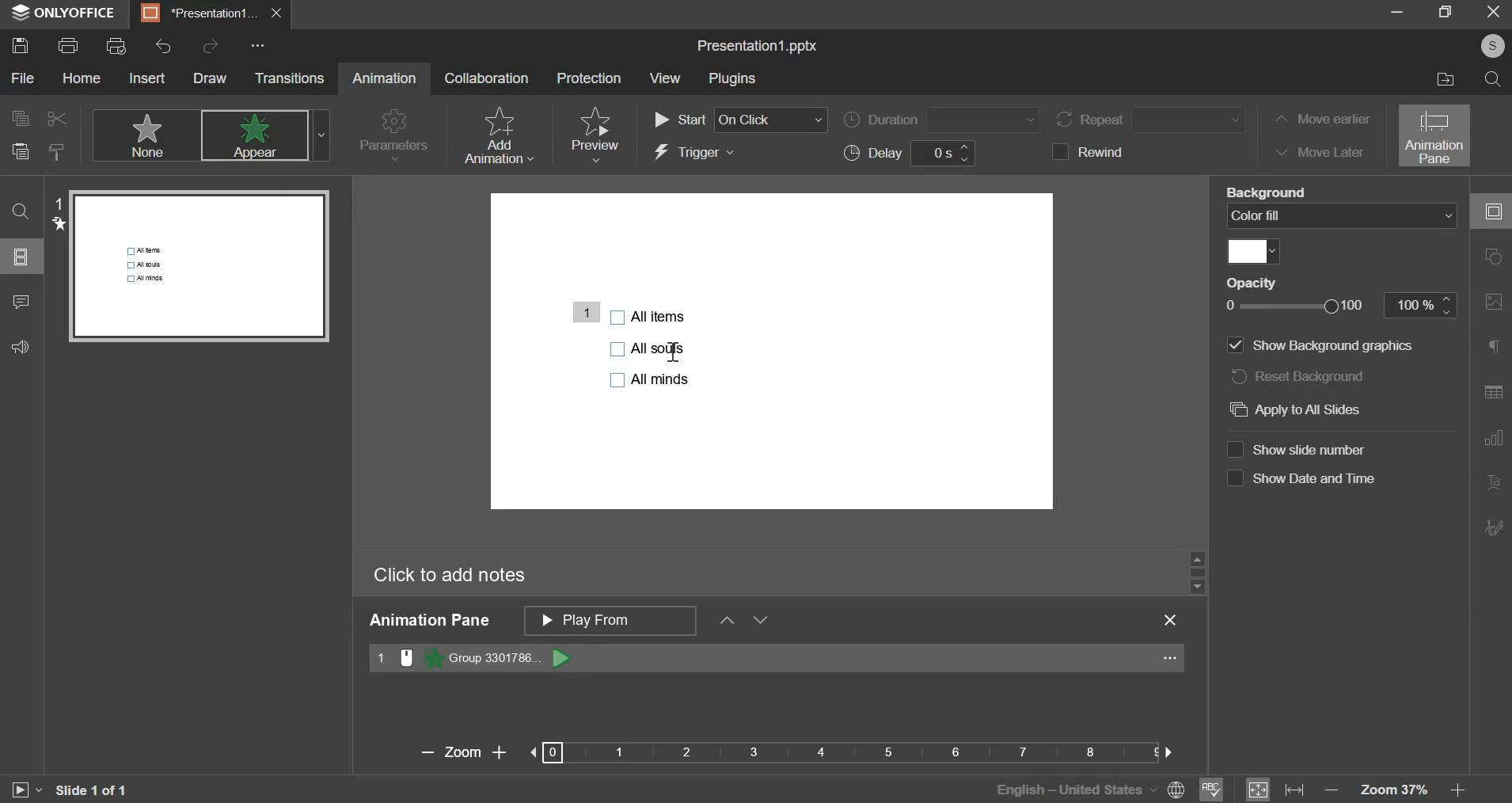 This screenshot has height=803, width=1512. What do you see at coordinates (1406, 790) in the screenshot?
I see `zoom` at bounding box center [1406, 790].